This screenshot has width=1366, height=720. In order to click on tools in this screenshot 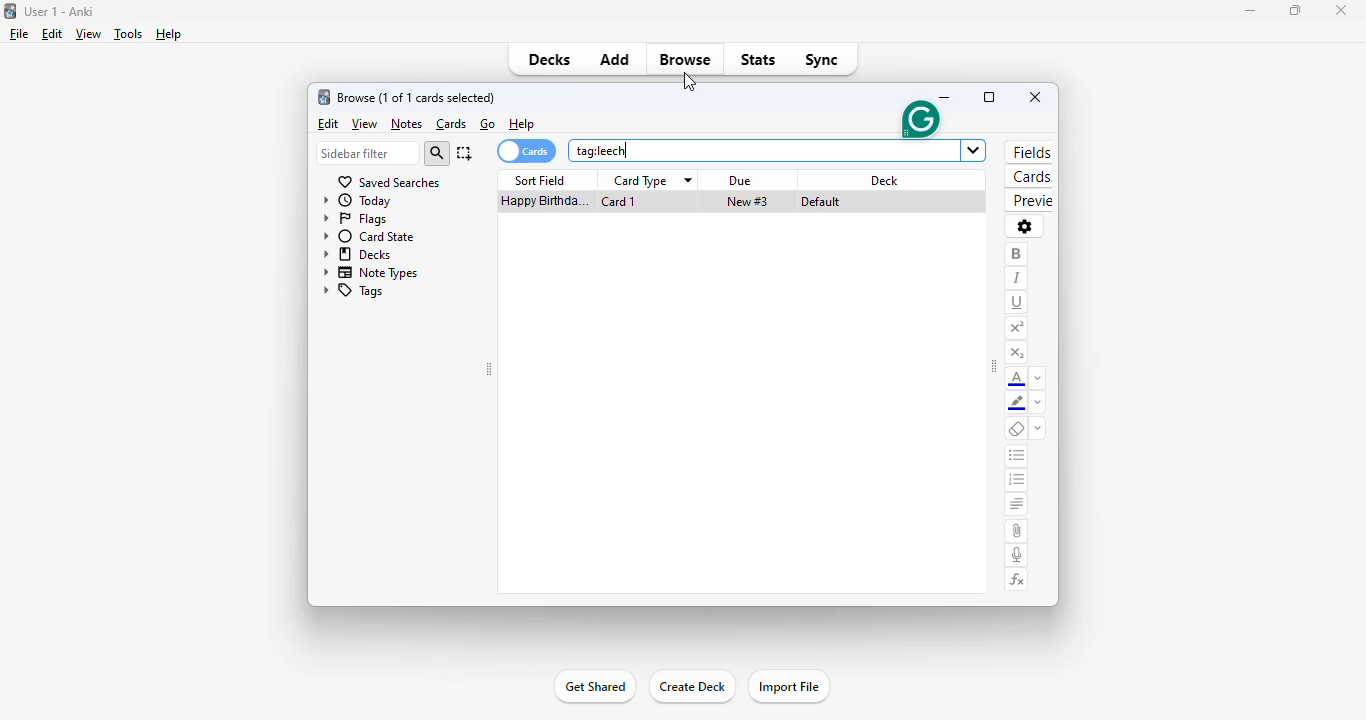, I will do `click(130, 34)`.